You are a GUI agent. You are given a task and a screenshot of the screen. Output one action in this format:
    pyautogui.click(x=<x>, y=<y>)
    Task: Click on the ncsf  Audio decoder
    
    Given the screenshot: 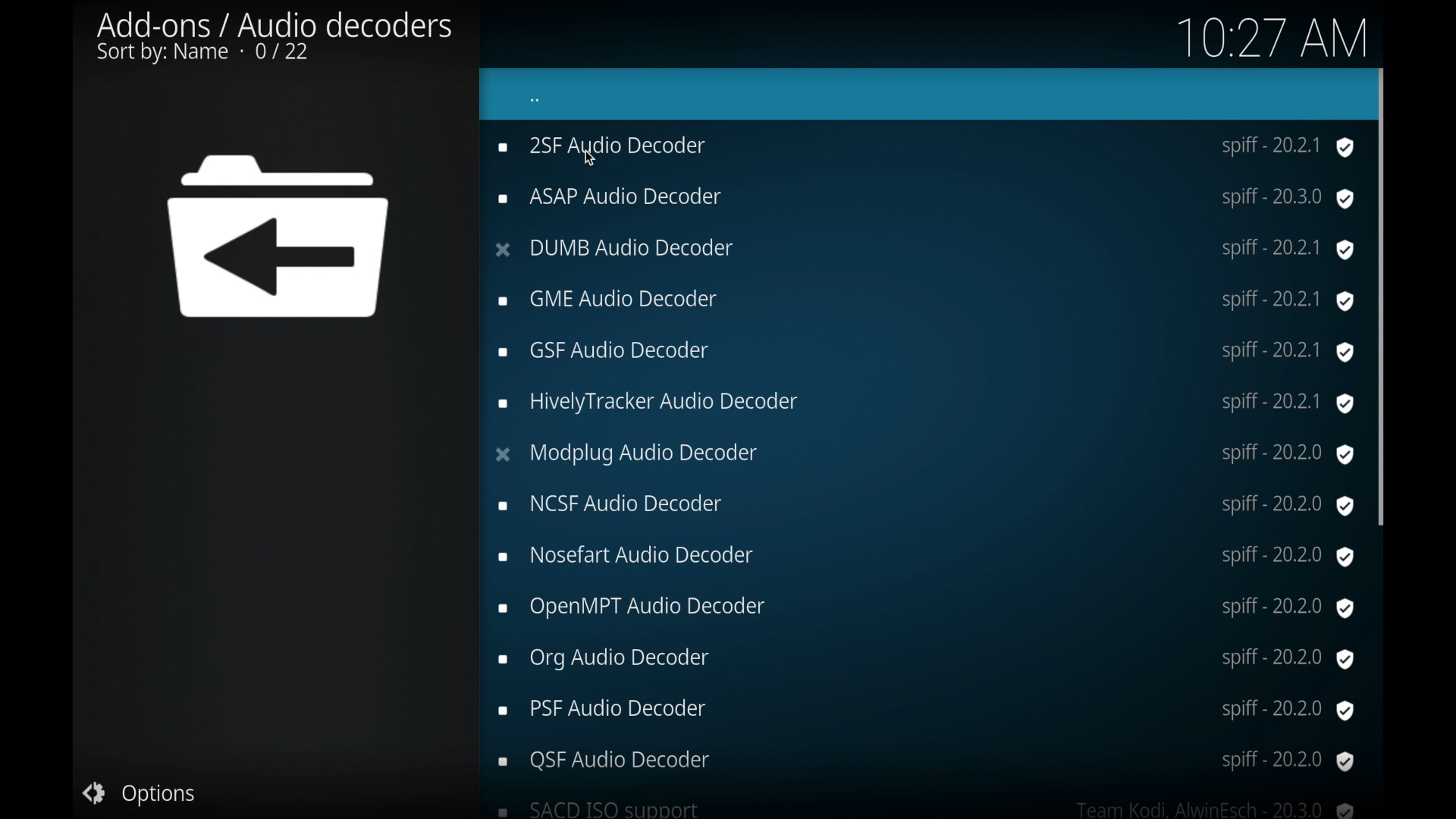 What is the action you would take?
    pyautogui.click(x=925, y=506)
    